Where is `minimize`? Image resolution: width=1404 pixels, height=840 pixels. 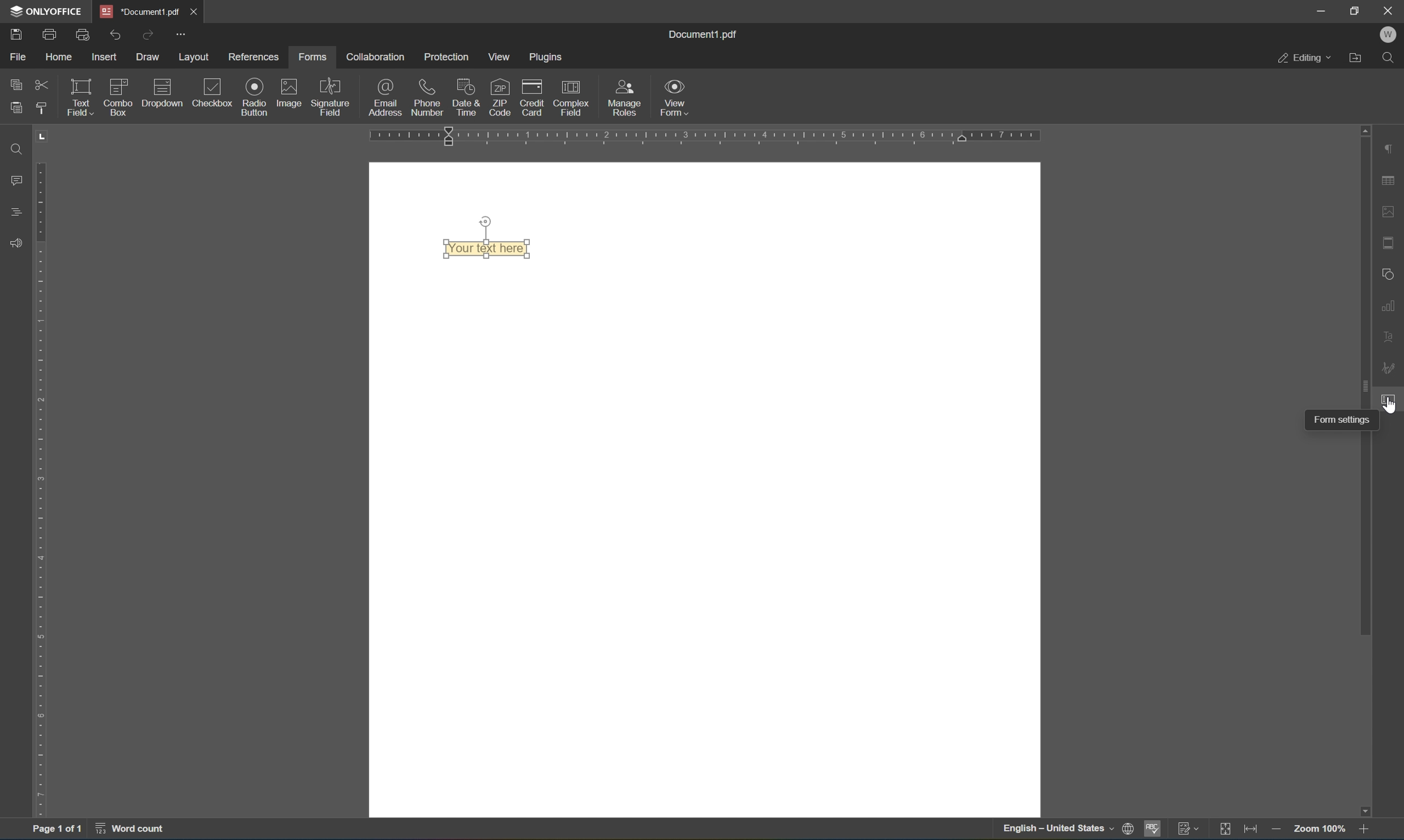 minimize is located at coordinates (1320, 10).